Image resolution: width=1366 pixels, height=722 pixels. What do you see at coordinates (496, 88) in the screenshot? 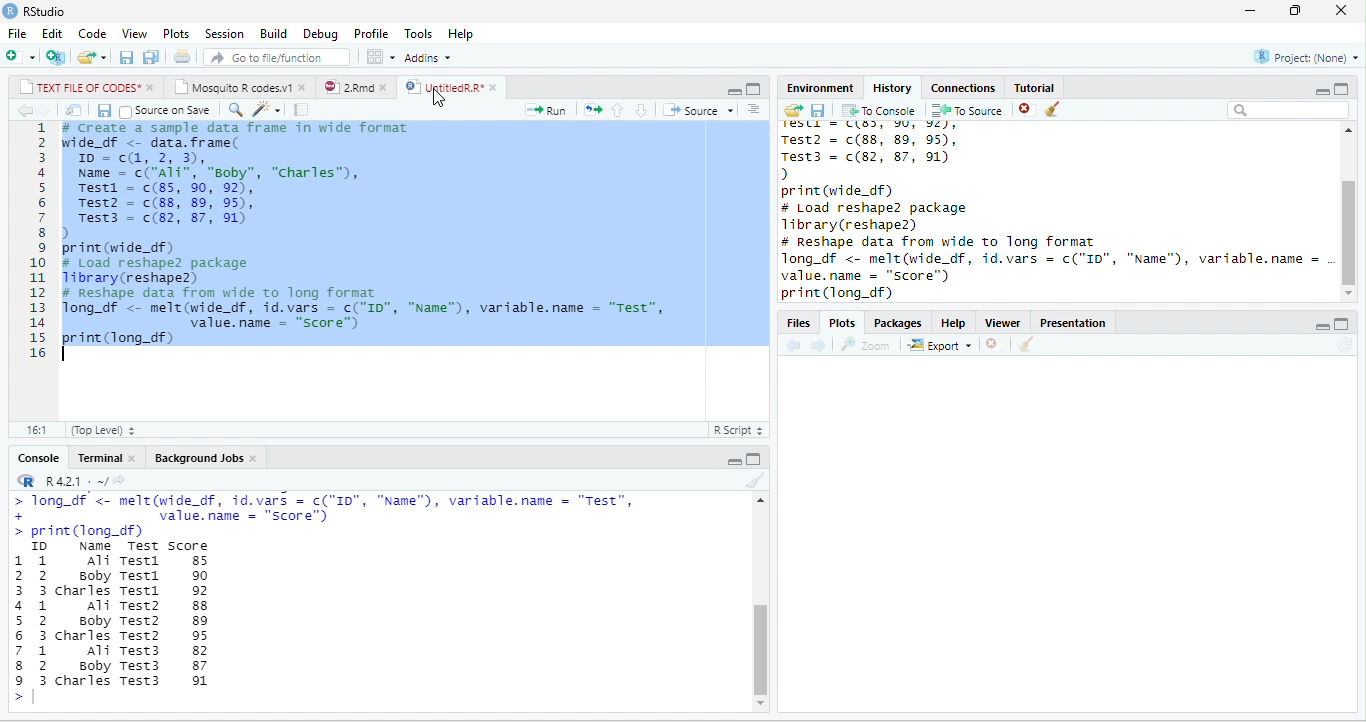
I see `close` at bounding box center [496, 88].